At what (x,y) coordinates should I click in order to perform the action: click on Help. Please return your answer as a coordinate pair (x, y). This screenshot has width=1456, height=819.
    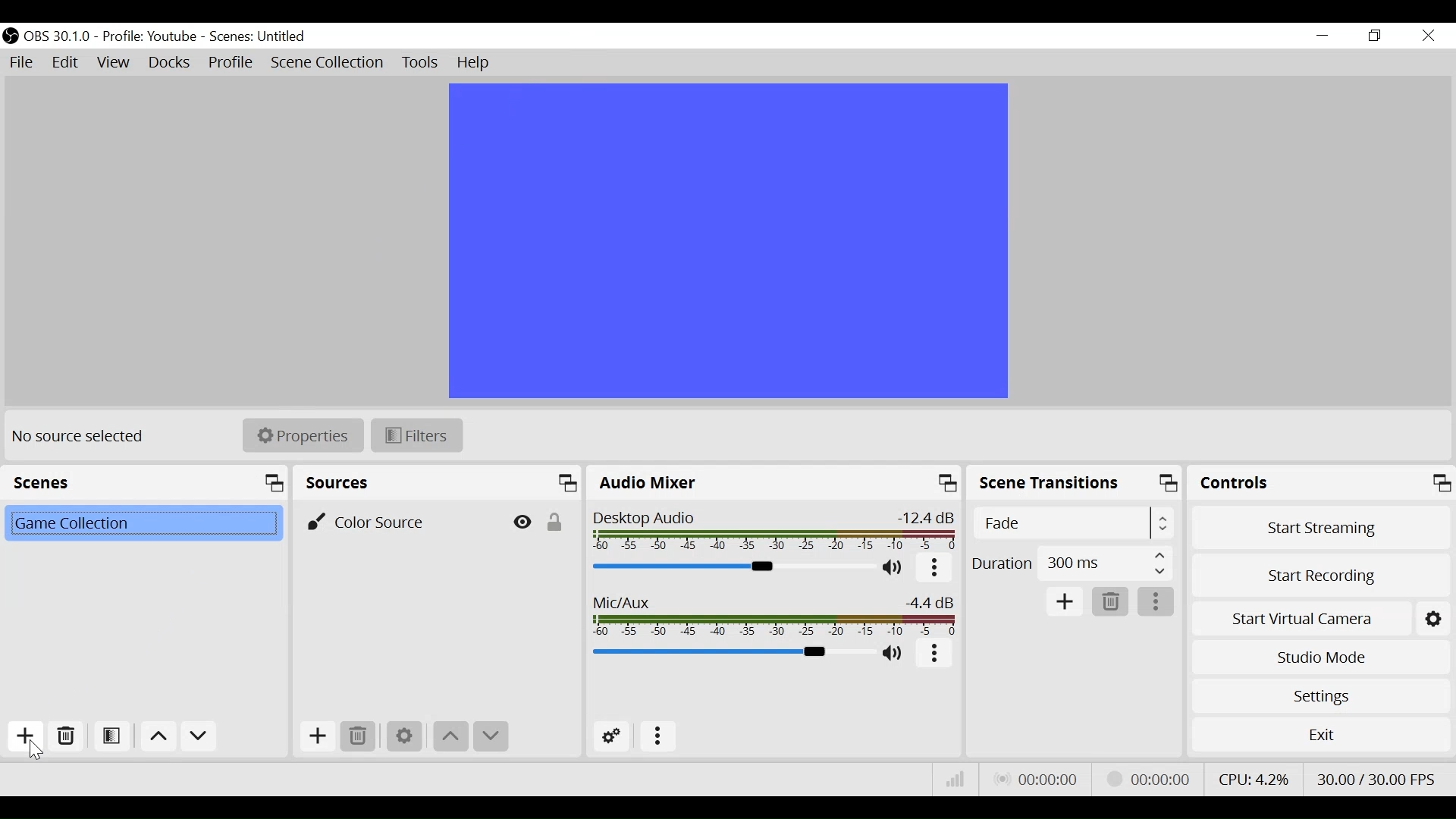
    Looking at the image, I should click on (475, 63).